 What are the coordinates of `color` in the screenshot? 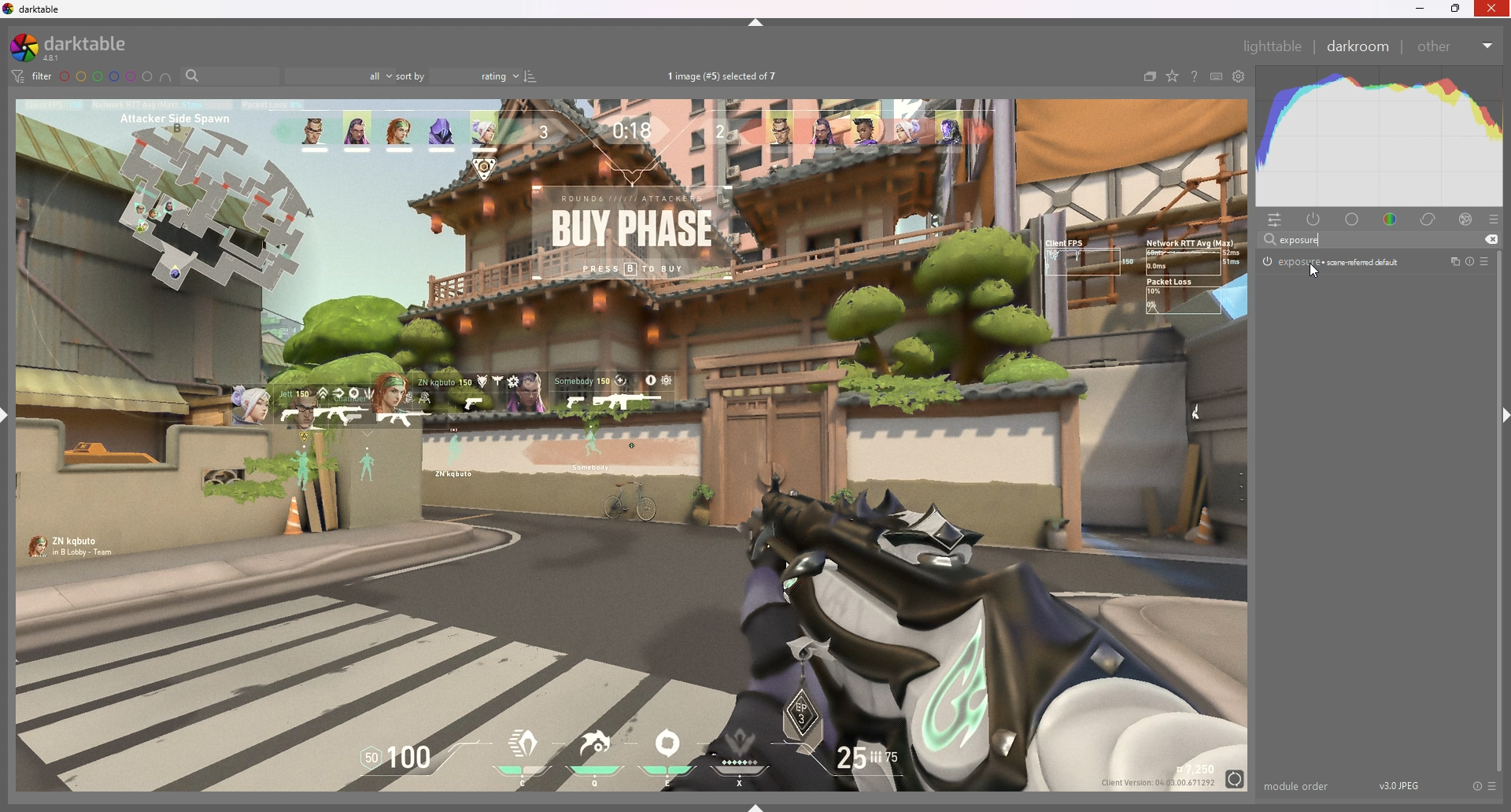 It's located at (1390, 220).